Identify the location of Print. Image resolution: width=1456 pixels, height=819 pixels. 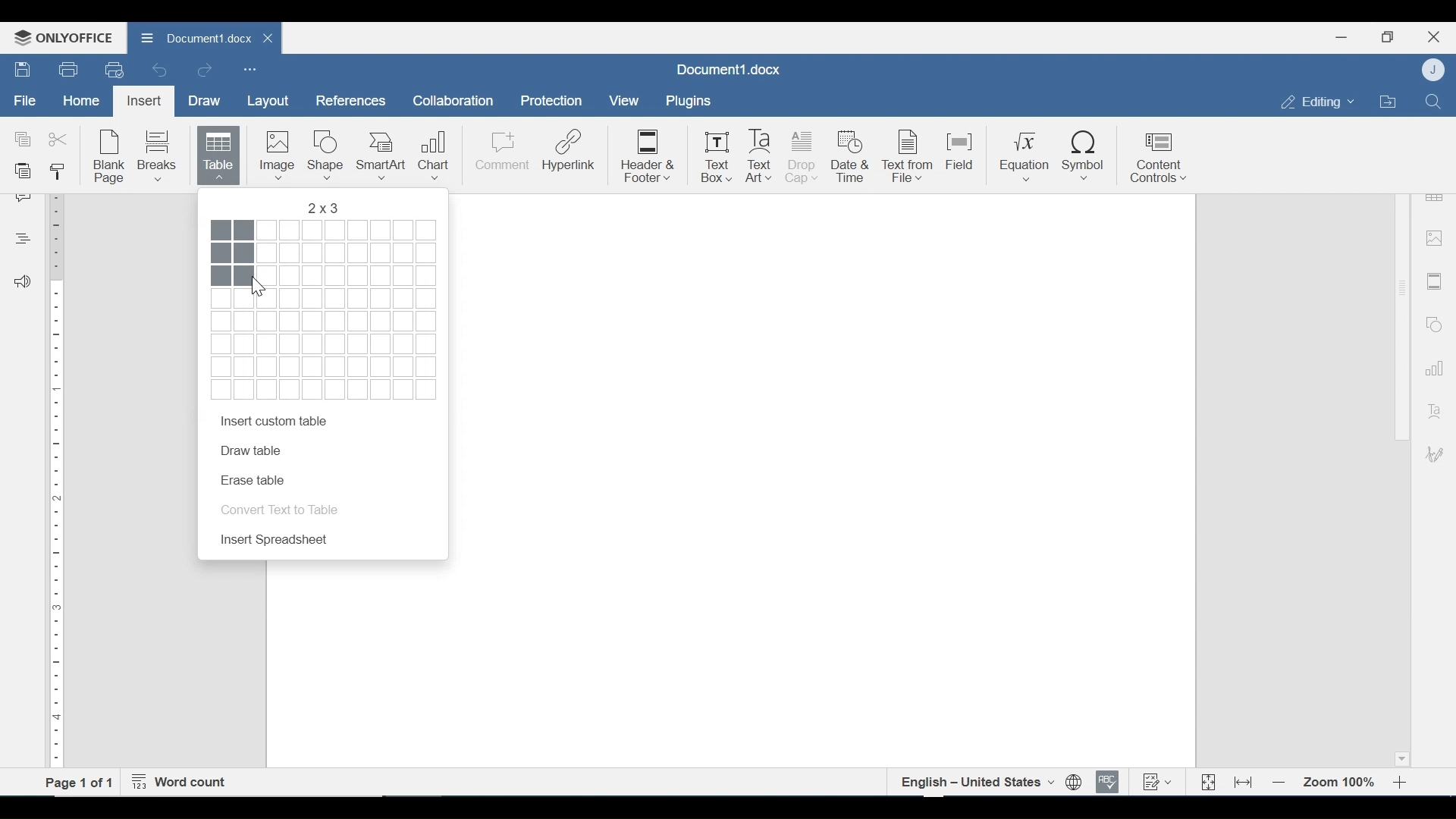
(69, 70).